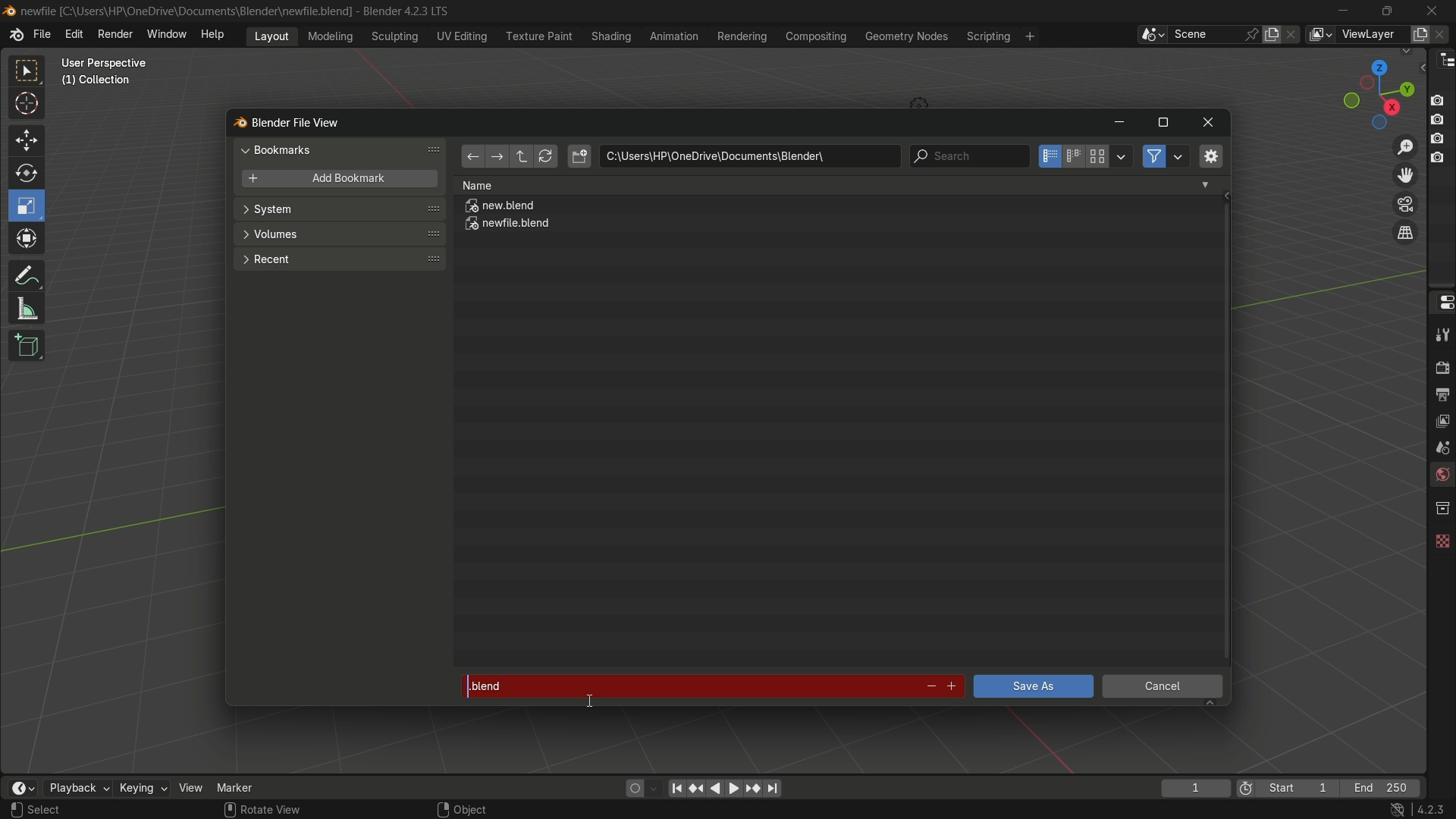  I want to click on C:\User:\\HP\Onedrive\Documents\Blender, so click(187, 11).